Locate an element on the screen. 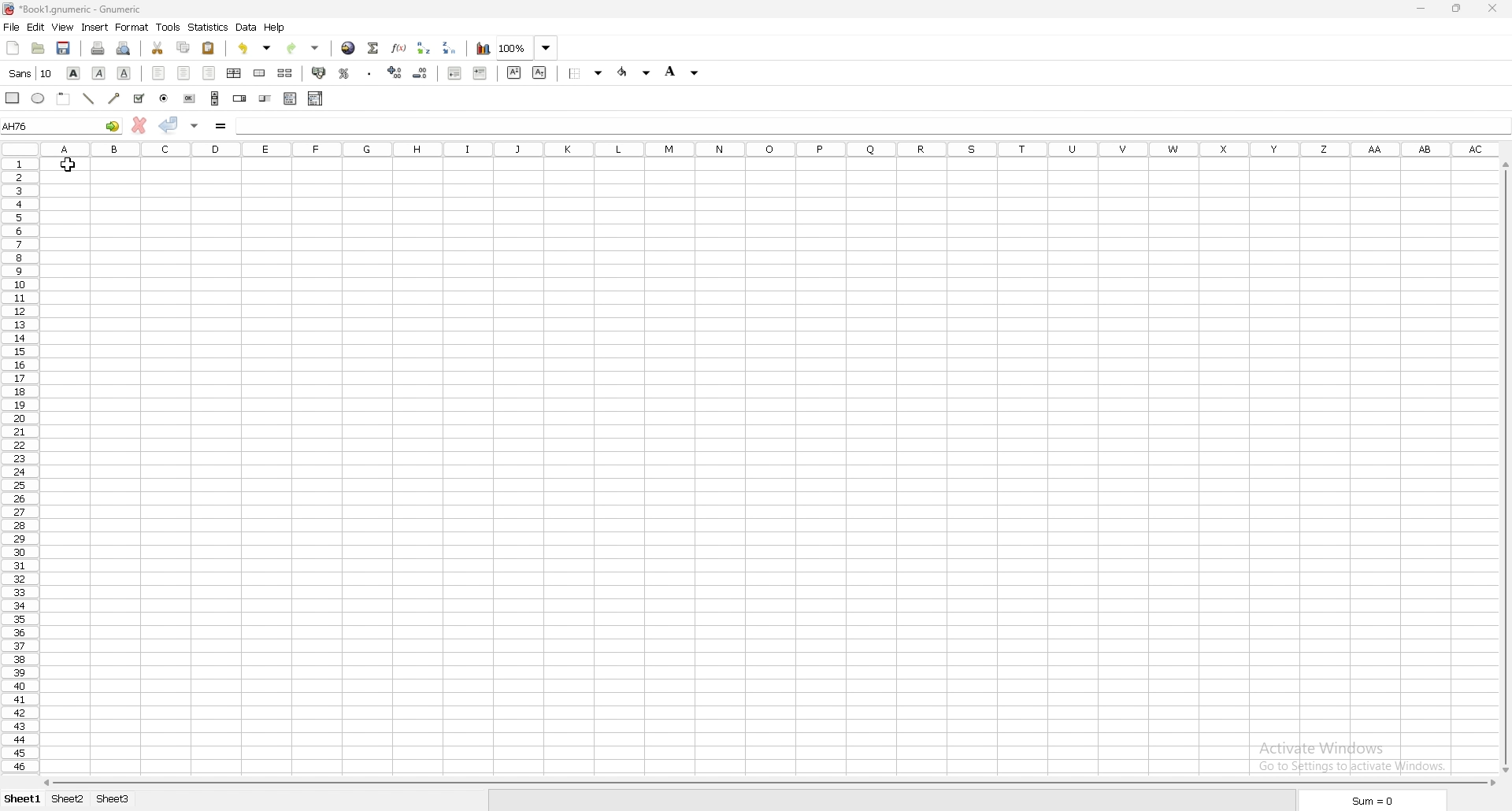 The height and width of the screenshot is (811, 1512). print is located at coordinates (98, 48).